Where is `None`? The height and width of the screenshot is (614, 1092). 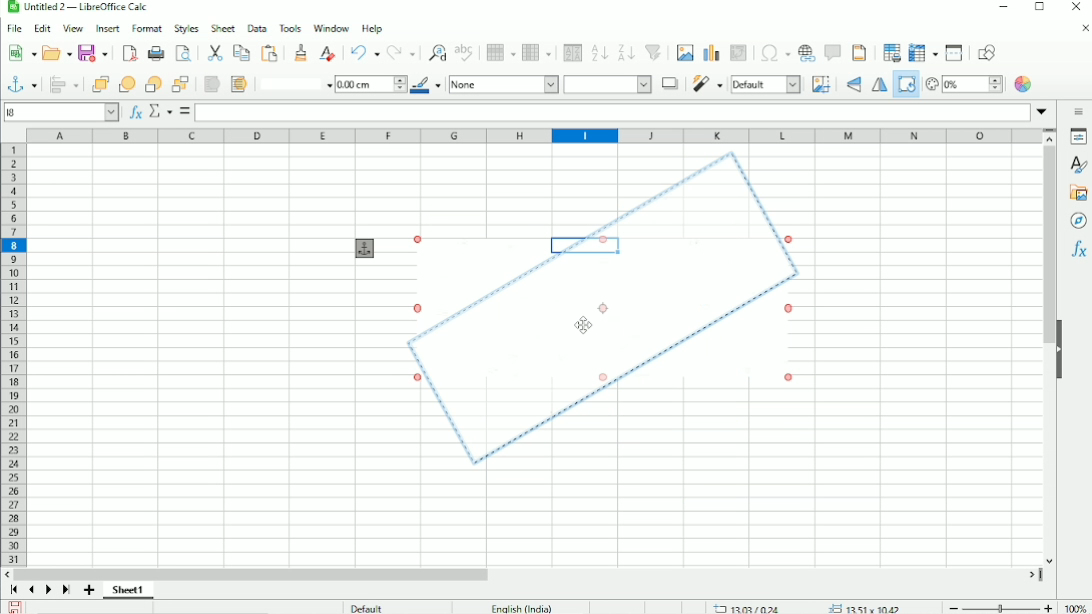
None is located at coordinates (503, 84).